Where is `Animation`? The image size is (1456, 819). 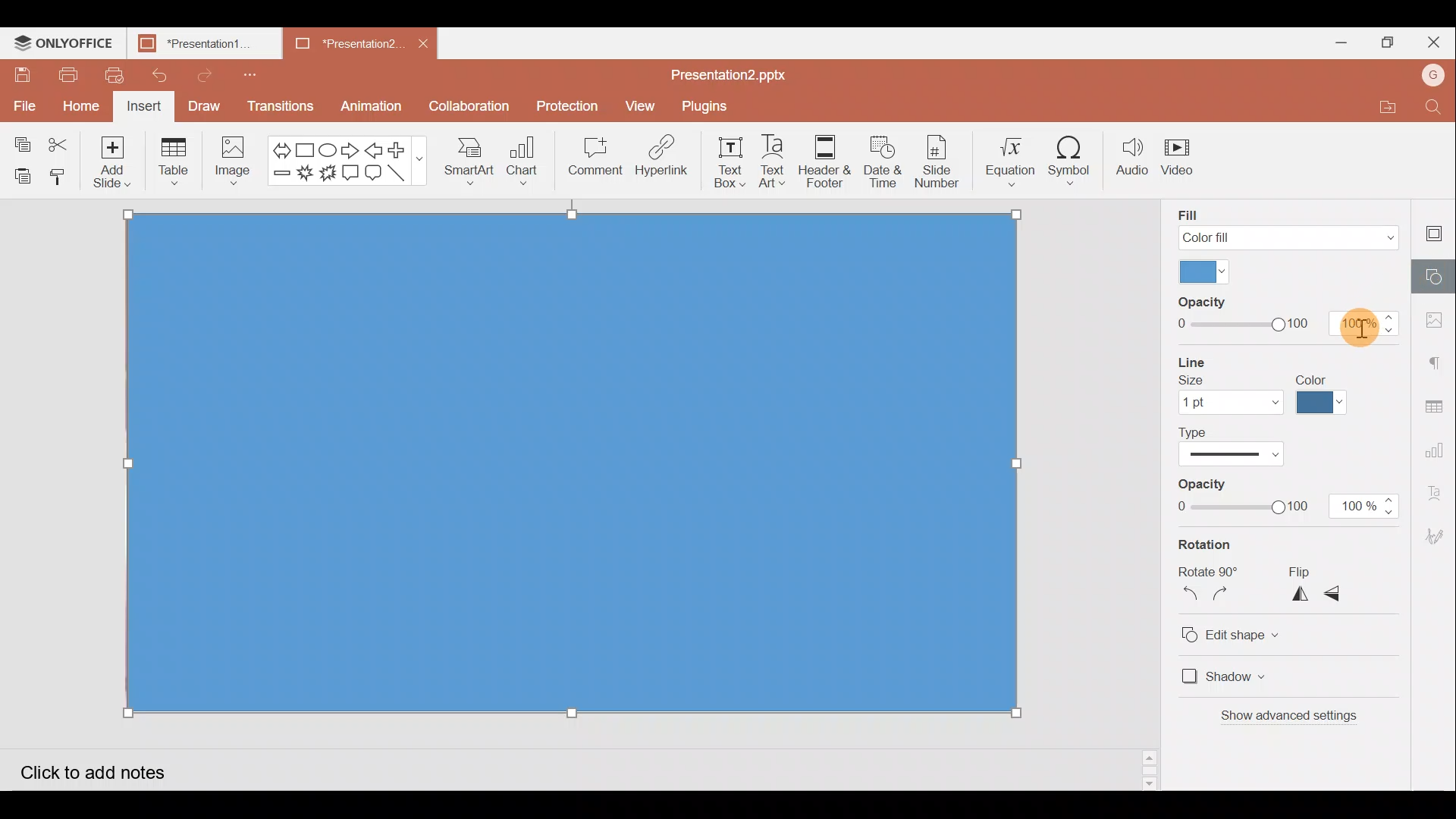
Animation is located at coordinates (377, 103).